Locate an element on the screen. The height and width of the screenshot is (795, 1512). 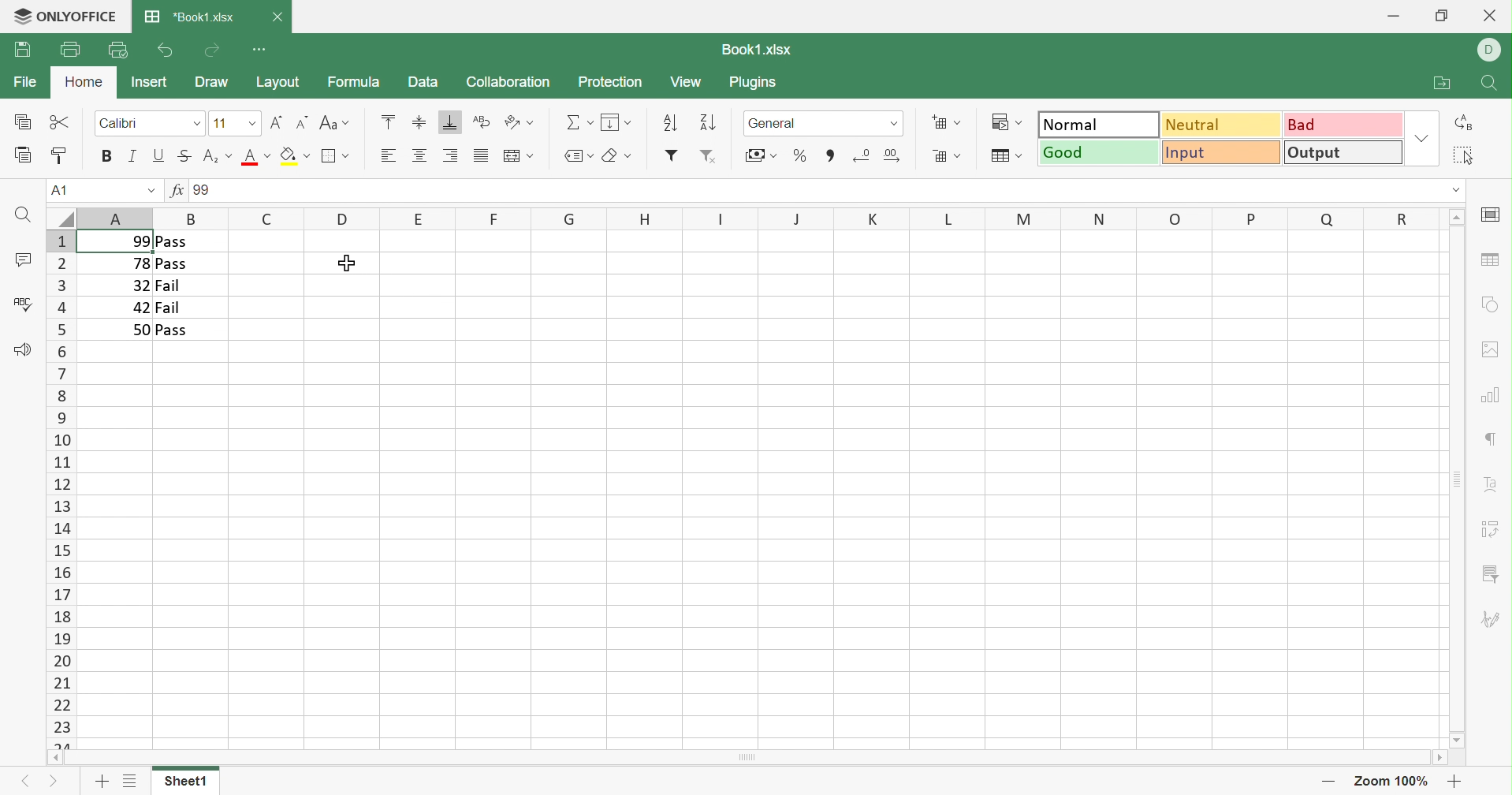
78 is located at coordinates (139, 264).